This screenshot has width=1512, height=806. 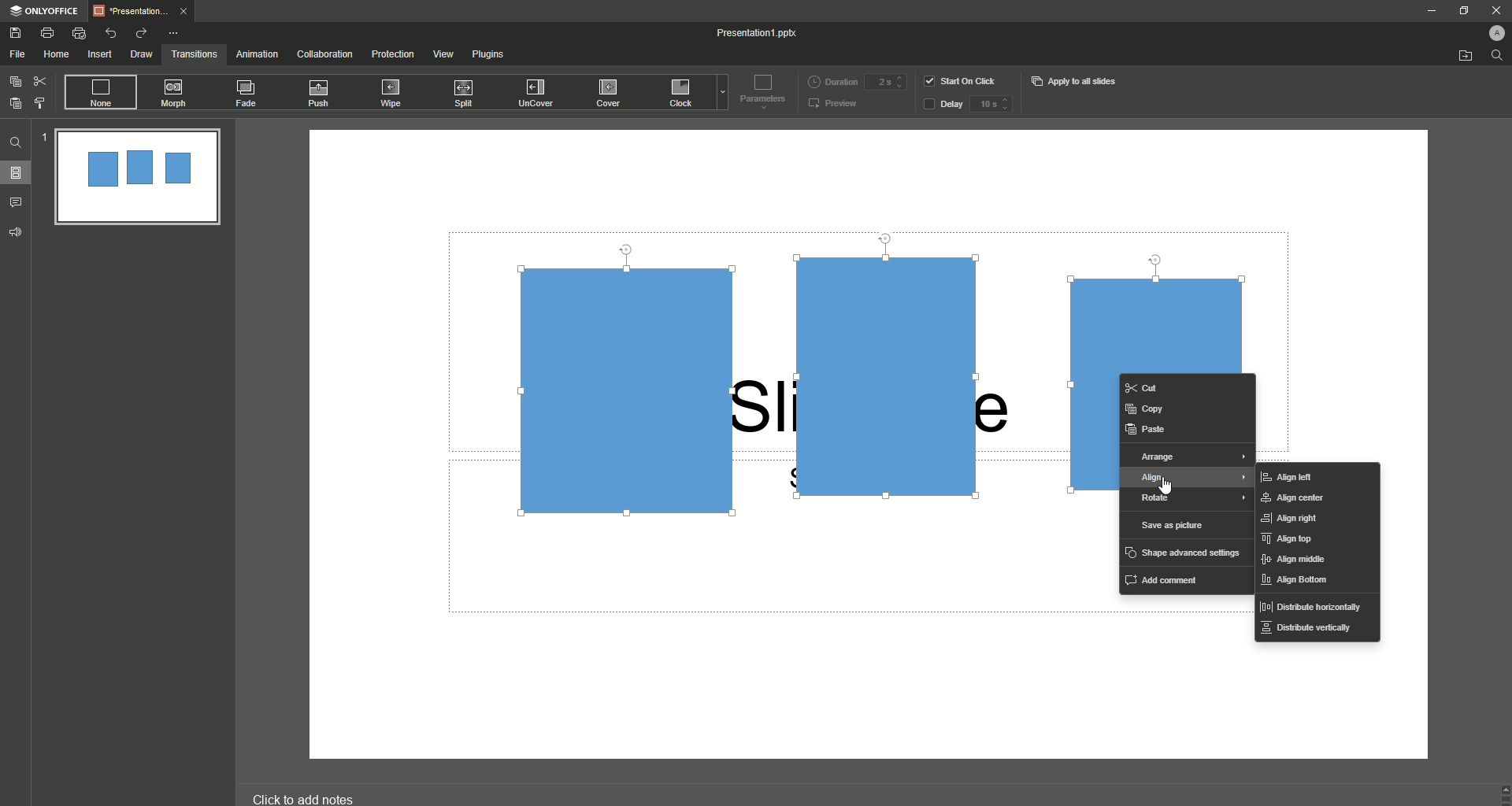 What do you see at coordinates (80, 34) in the screenshot?
I see `Quick Print` at bounding box center [80, 34].